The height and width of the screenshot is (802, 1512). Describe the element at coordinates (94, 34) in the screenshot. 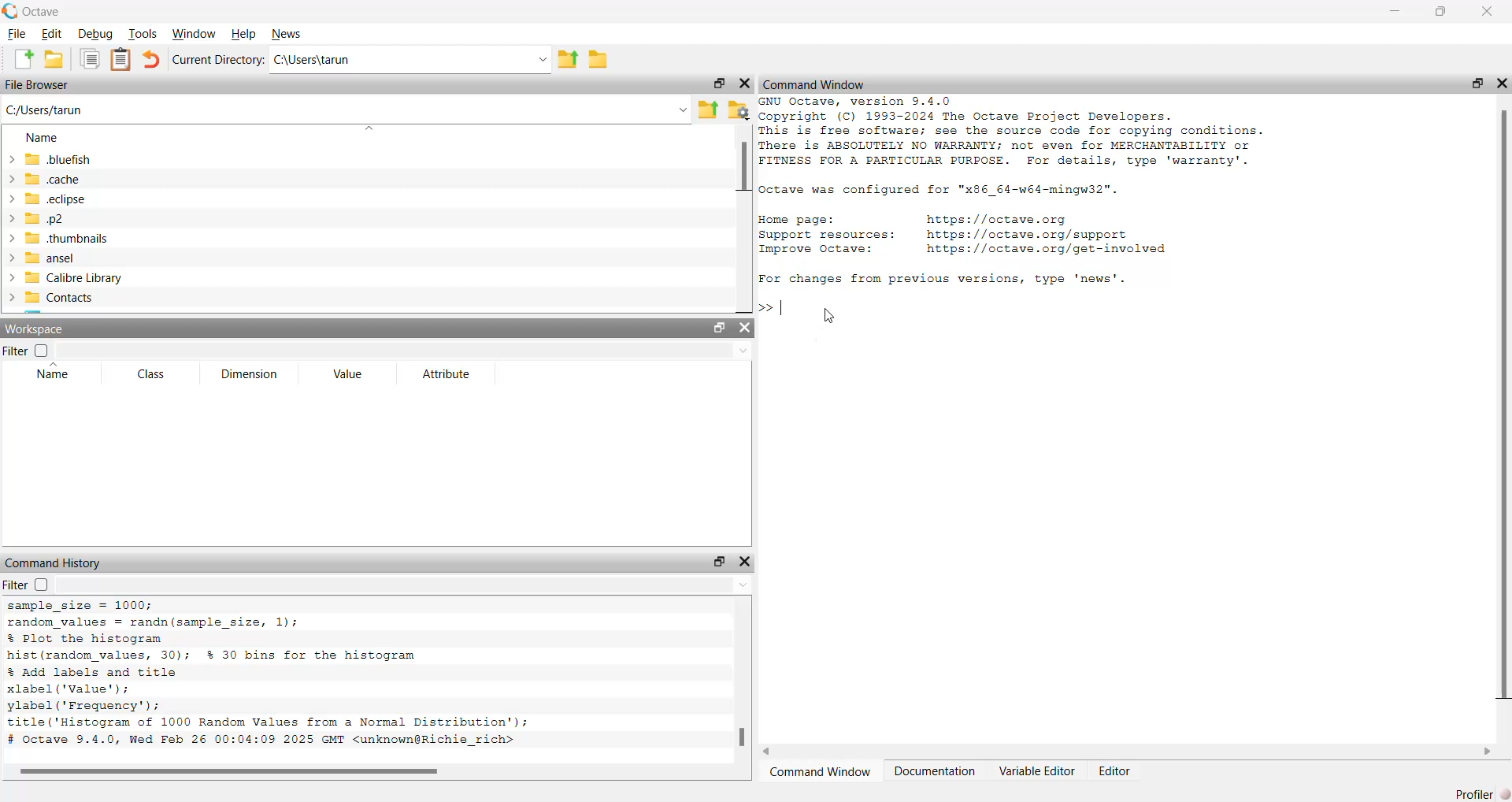

I see `Debug` at that location.